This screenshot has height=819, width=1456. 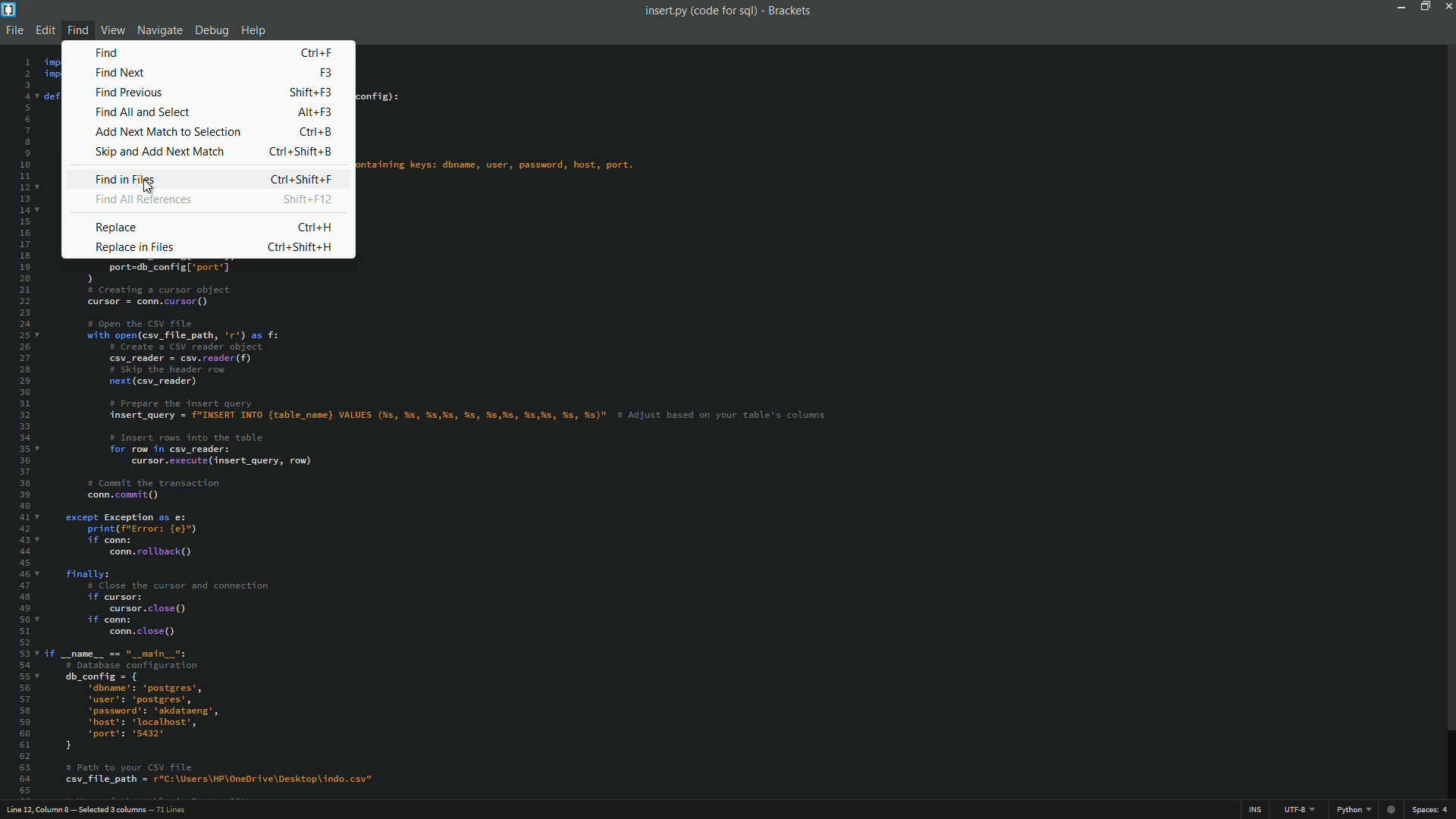 What do you see at coordinates (790, 11) in the screenshot?
I see `app name` at bounding box center [790, 11].